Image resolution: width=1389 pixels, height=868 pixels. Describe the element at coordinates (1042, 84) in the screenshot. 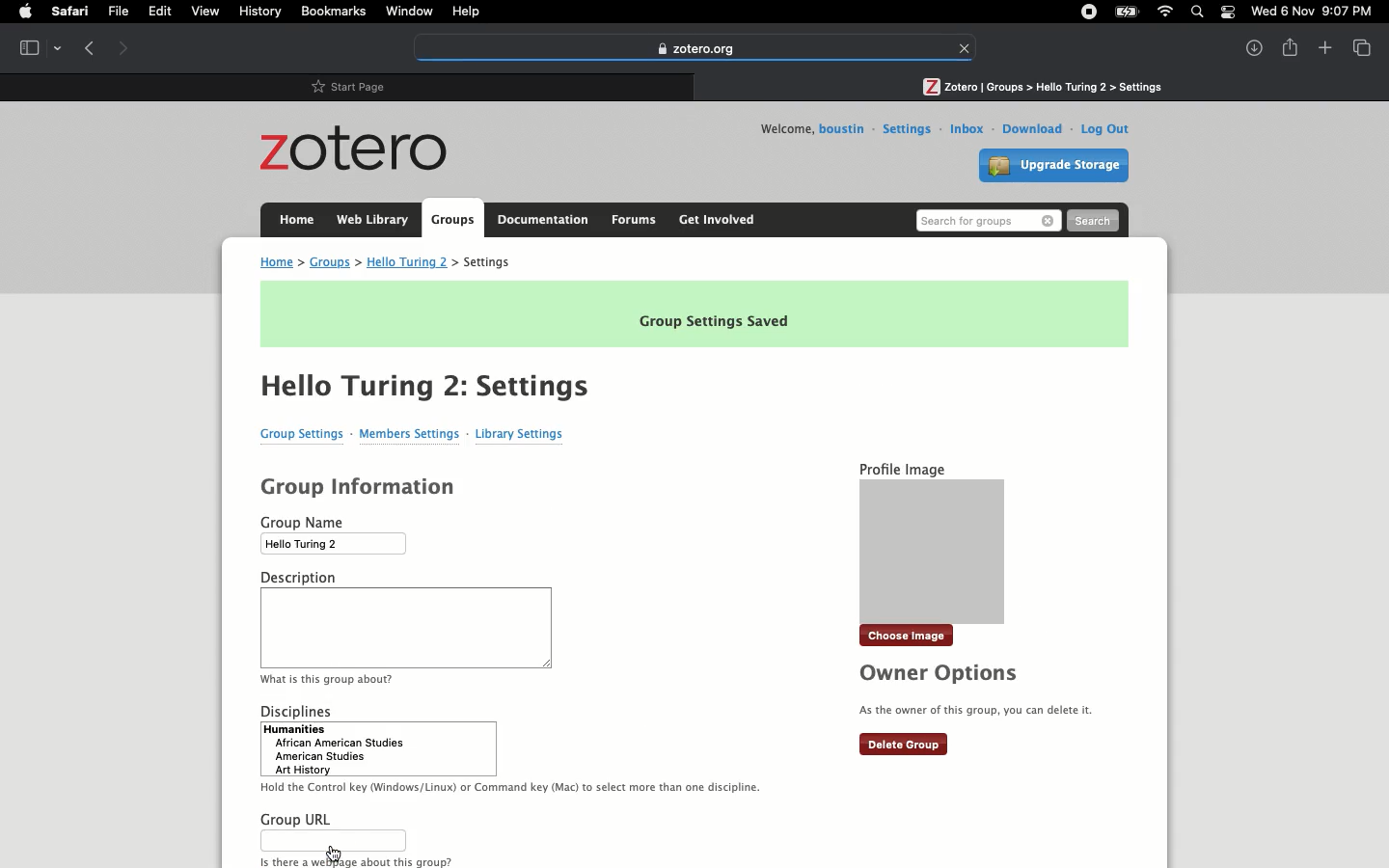

I see `Path` at that location.